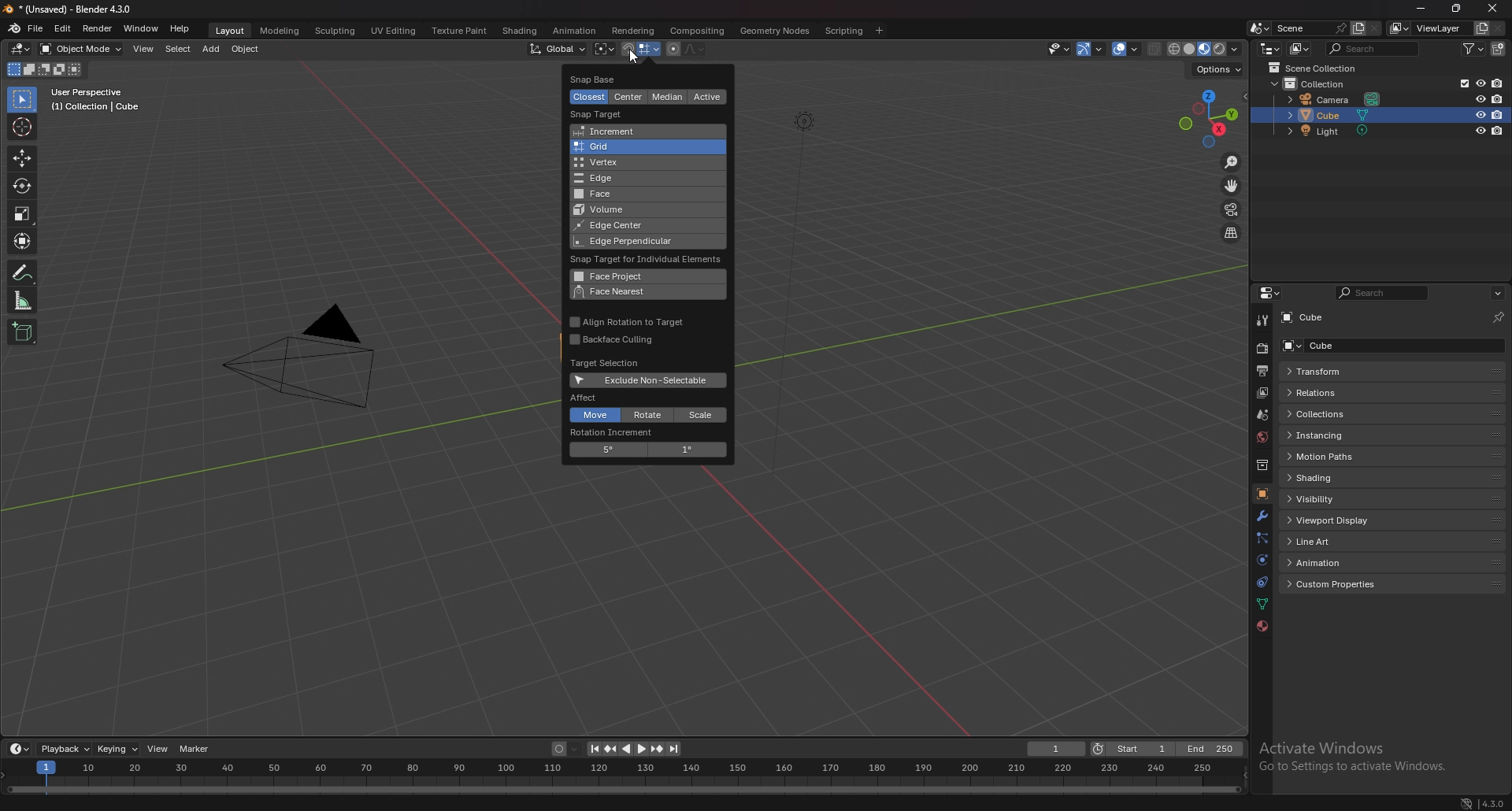  Describe the element at coordinates (1262, 348) in the screenshot. I see `render` at that location.